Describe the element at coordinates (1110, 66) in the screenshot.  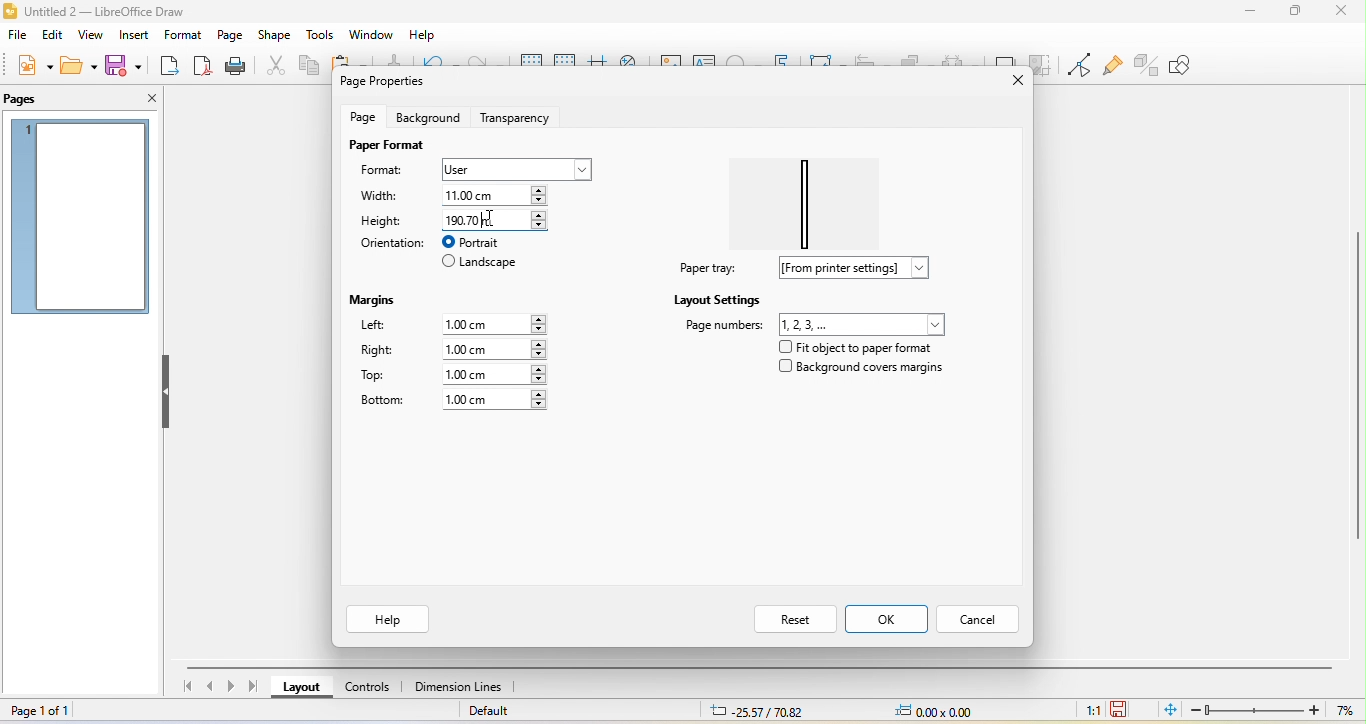
I see `show gluepoint function` at that location.